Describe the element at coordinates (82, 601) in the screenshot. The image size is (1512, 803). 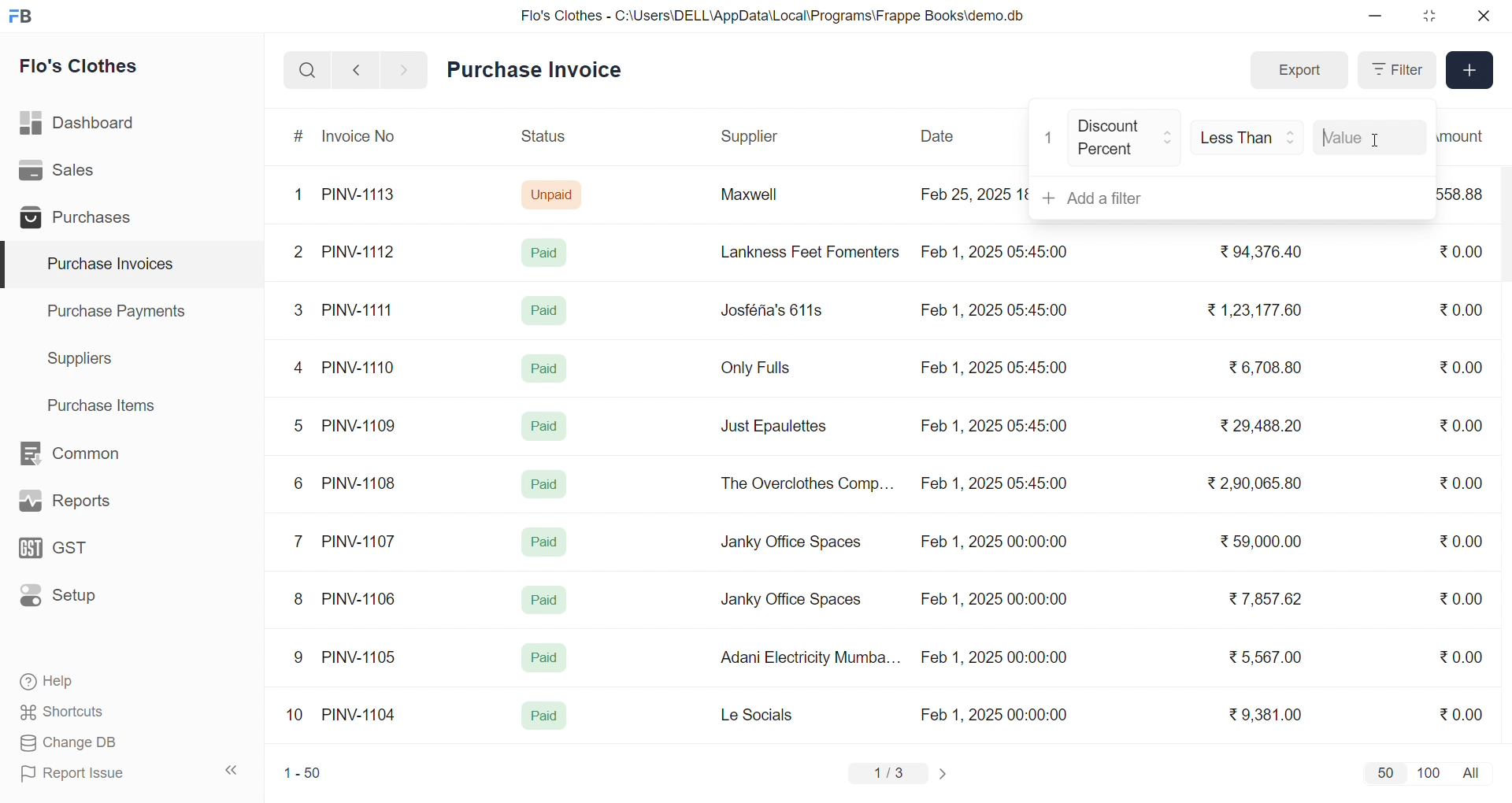
I see `Setup` at that location.